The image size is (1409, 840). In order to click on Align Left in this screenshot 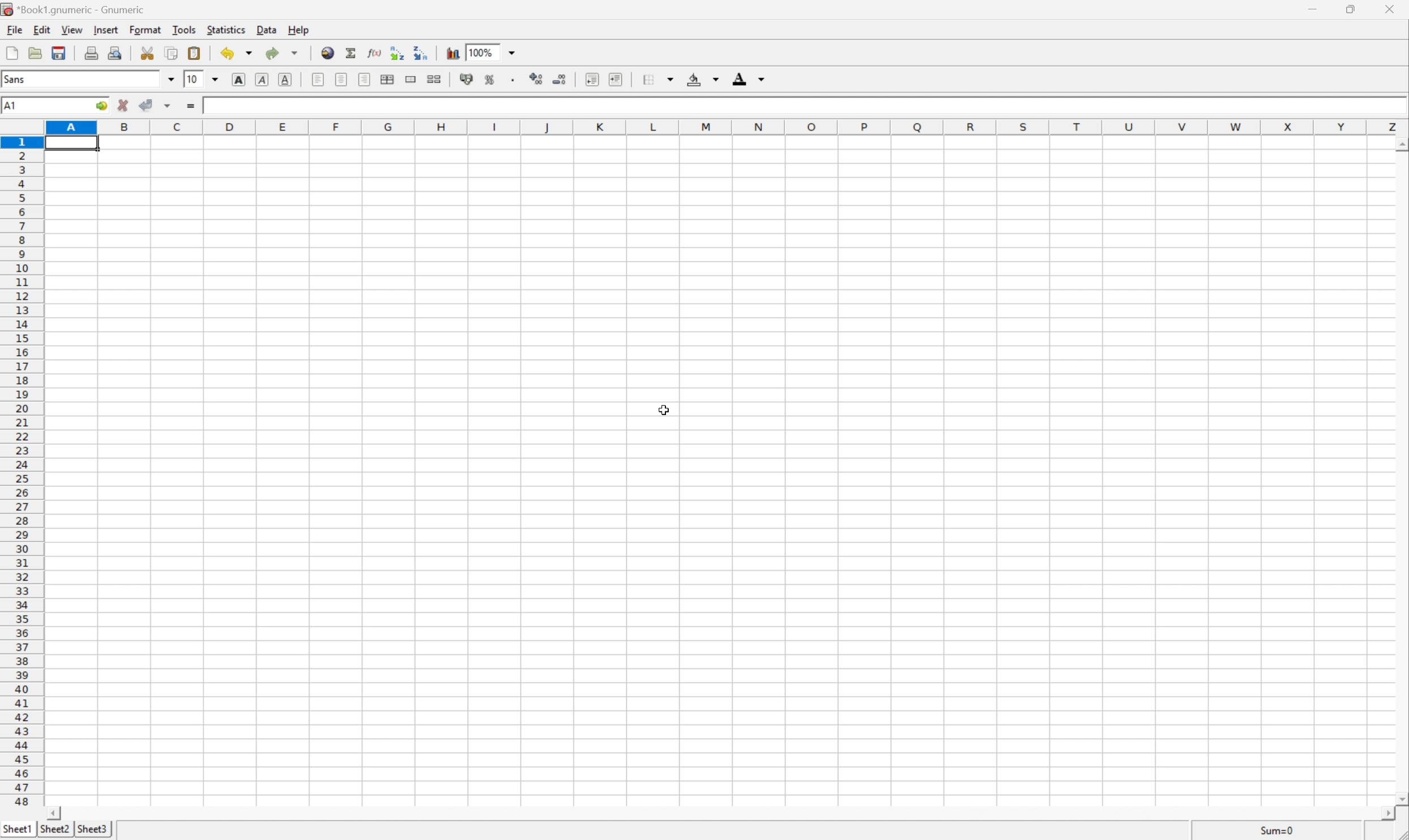, I will do `click(317, 80)`.